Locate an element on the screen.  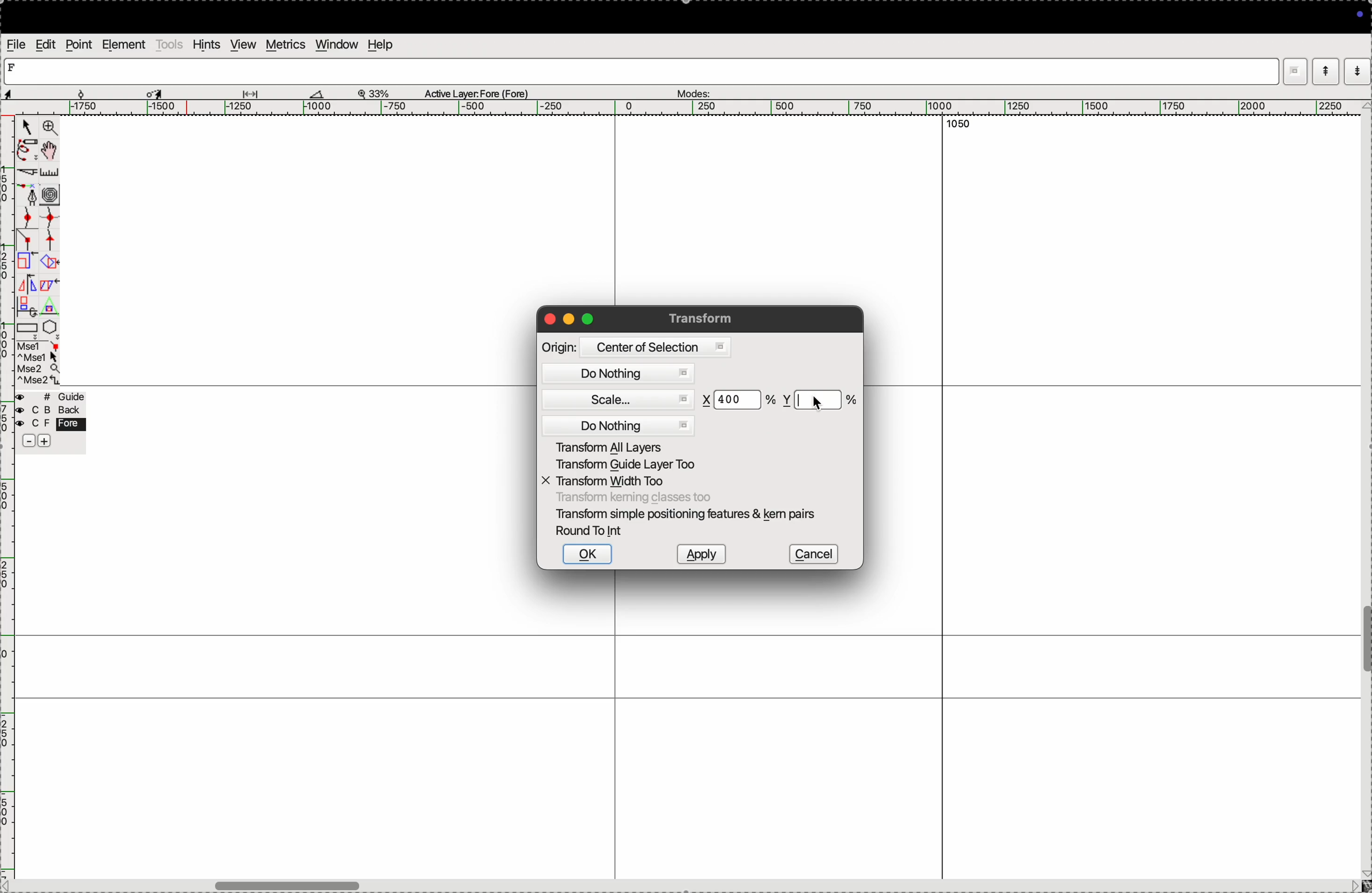
letter F is located at coordinates (14, 67).